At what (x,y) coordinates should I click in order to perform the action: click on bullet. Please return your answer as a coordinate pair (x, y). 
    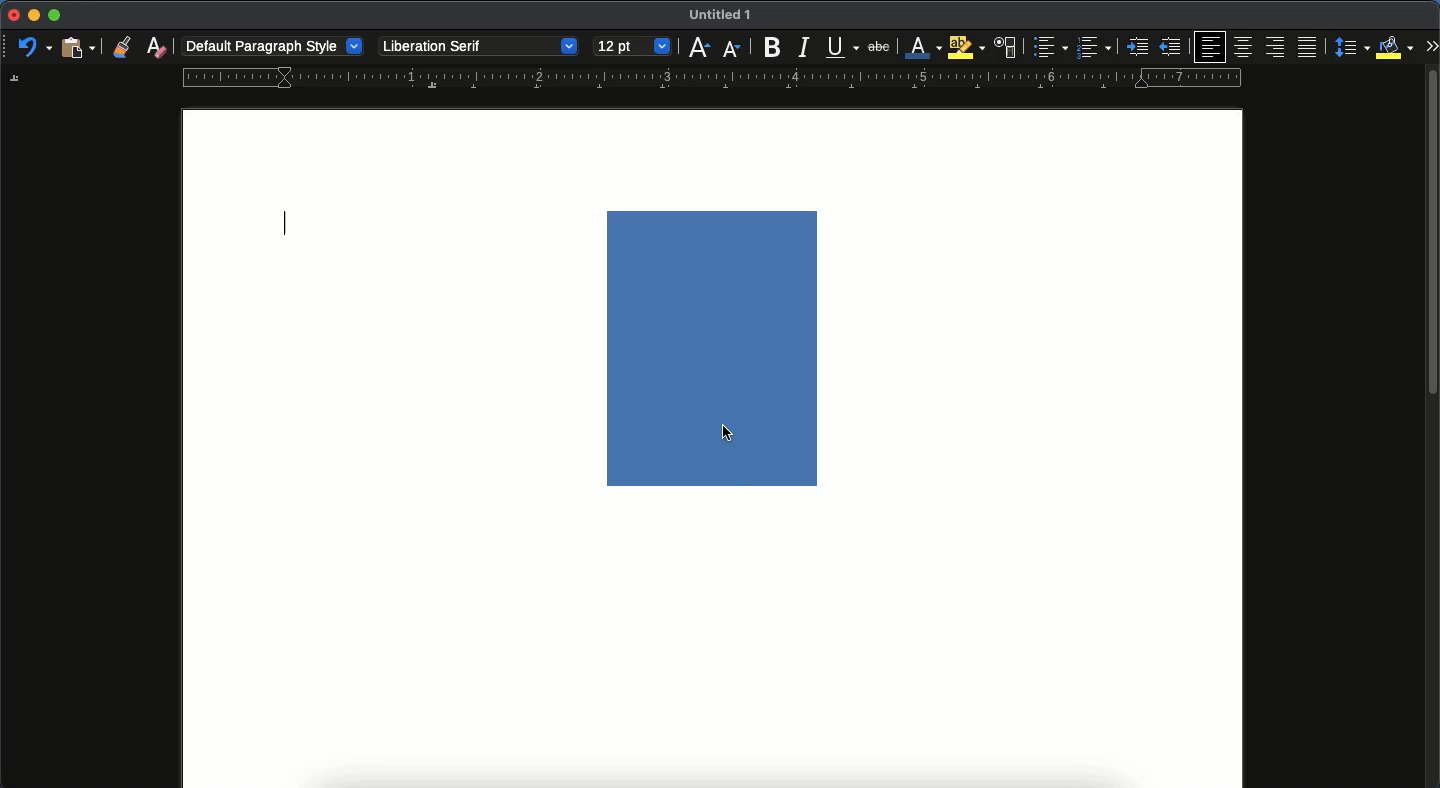
    Looking at the image, I should click on (1048, 47).